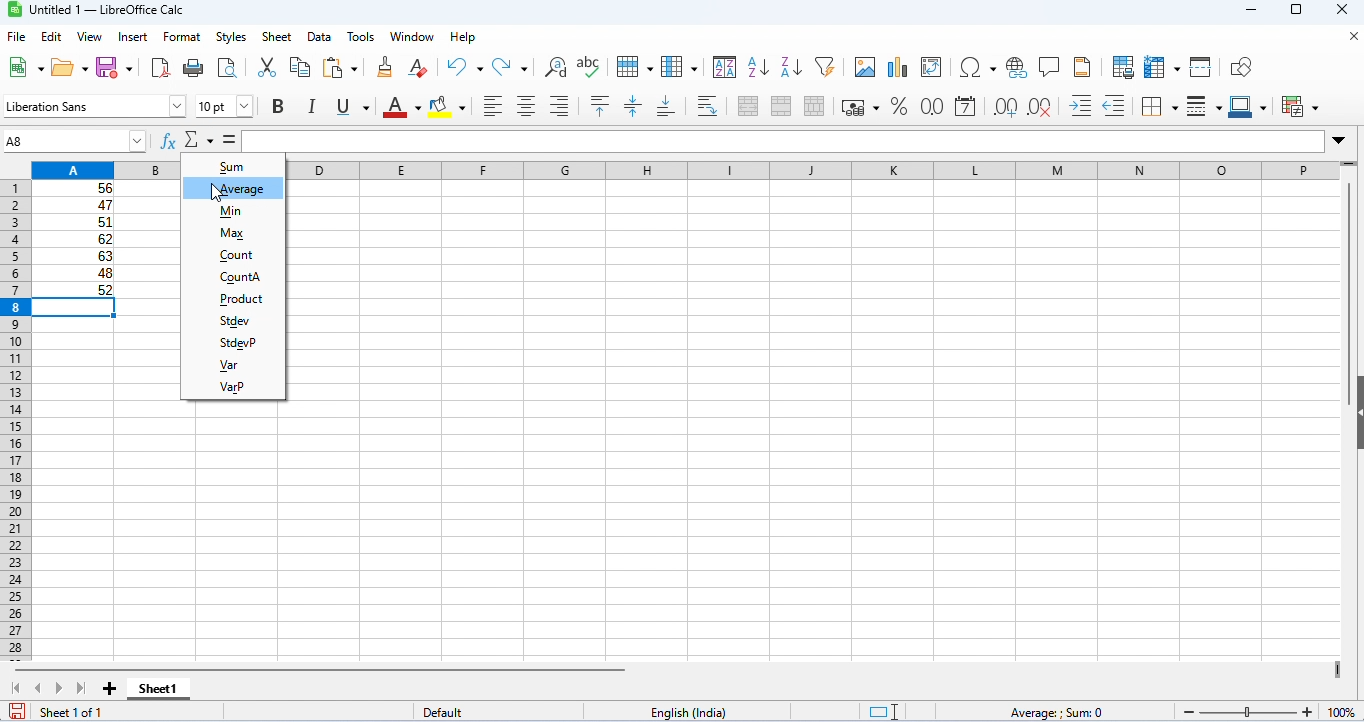 The image size is (1364, 722). Describe the element at coordinates (556, 67) in the screenshot. I see `find and replace` at that location.